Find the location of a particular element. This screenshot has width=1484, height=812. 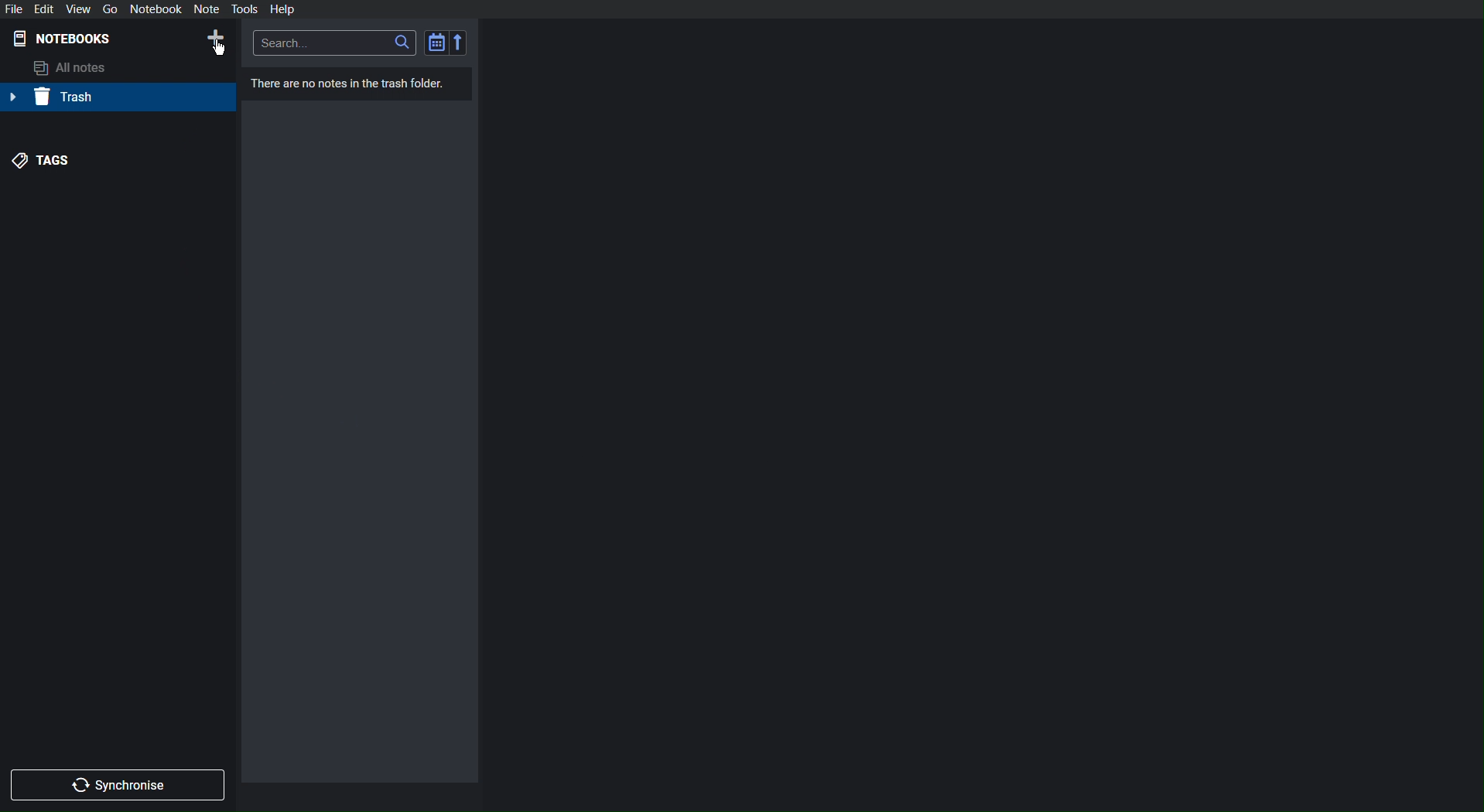

cursor is located at coordinates (219, 49).